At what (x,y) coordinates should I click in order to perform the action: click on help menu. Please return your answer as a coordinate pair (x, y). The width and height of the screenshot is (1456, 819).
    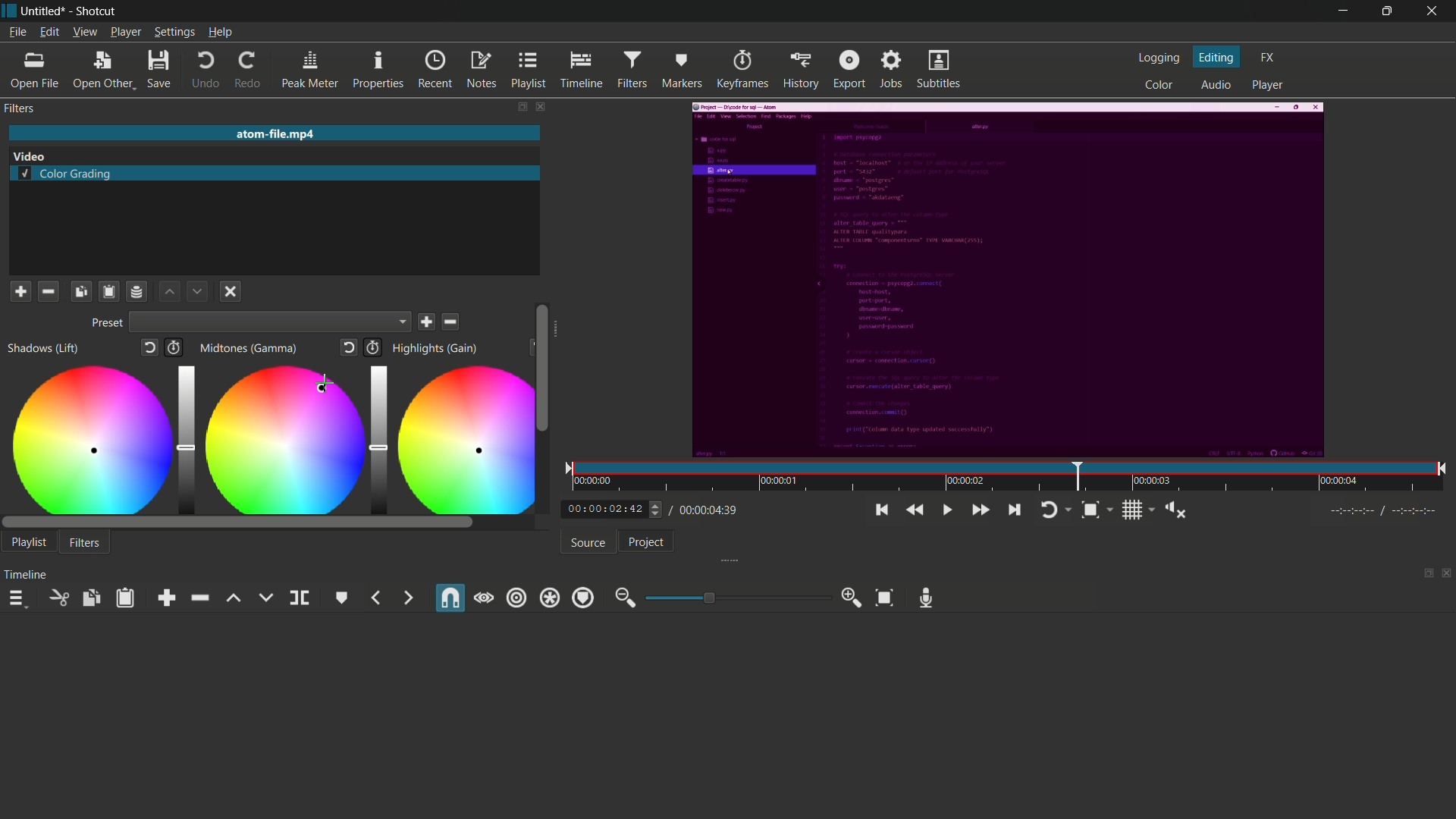
    Looking at the image, I should click on (221, 33).